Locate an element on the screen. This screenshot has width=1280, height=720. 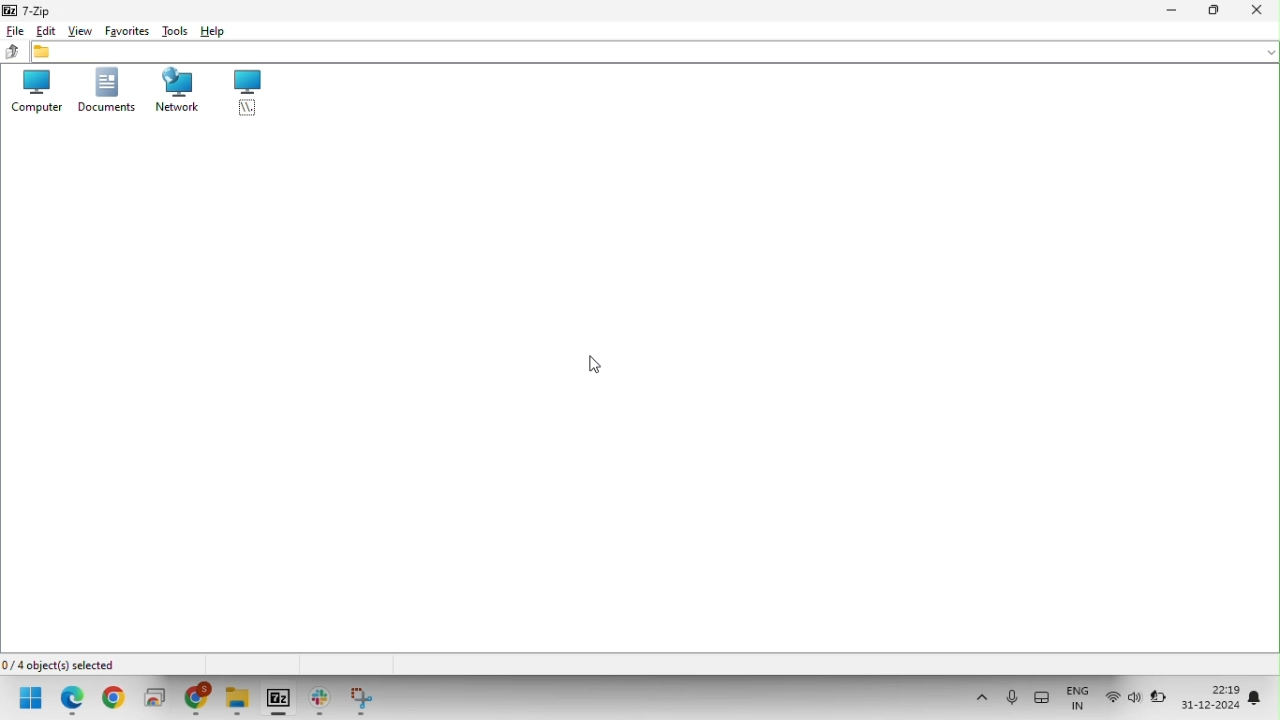
z zip is located at coordinates (30, 12).